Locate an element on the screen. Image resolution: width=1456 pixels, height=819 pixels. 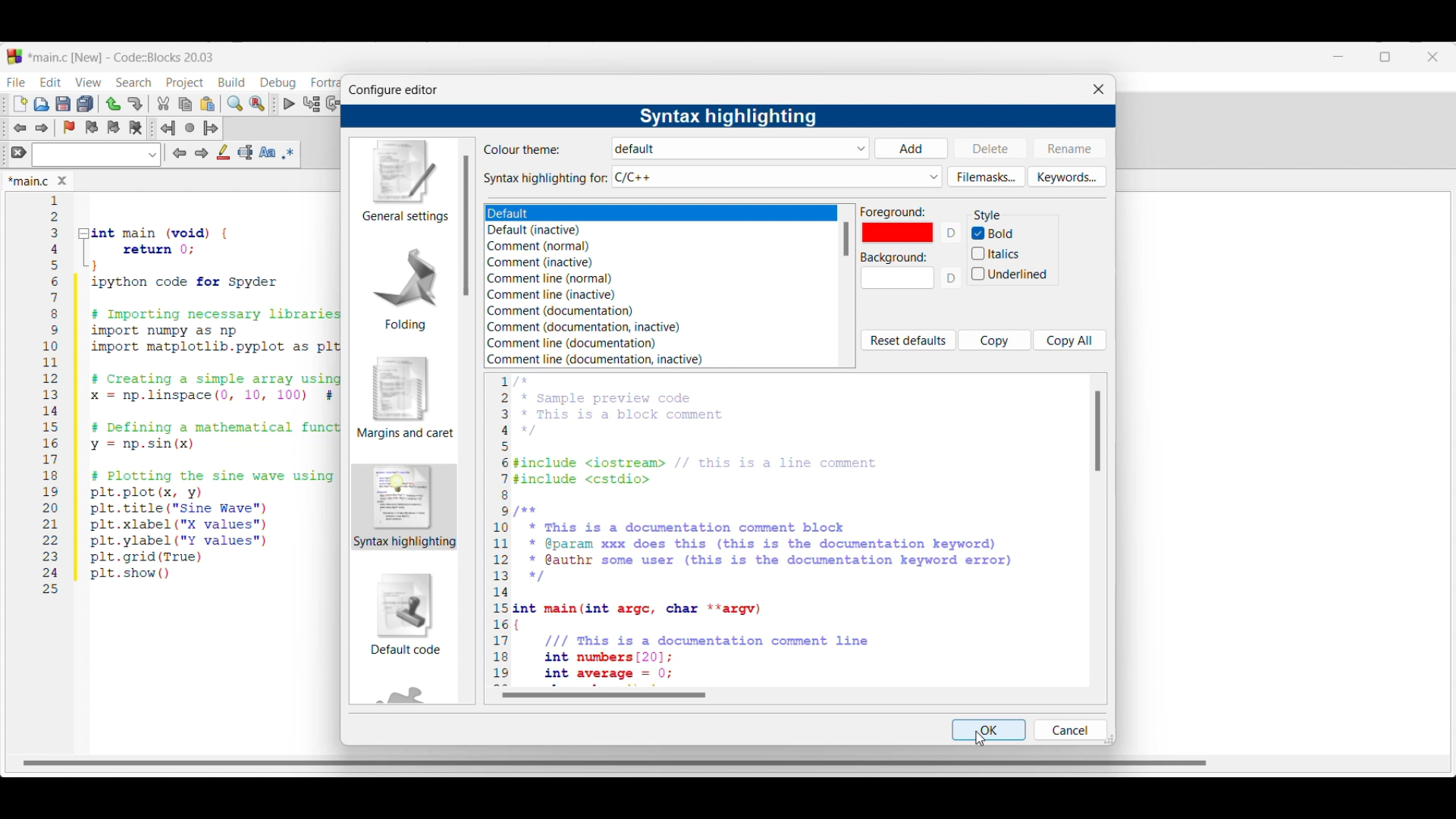
Use regex is located at coordinates (288, 153).